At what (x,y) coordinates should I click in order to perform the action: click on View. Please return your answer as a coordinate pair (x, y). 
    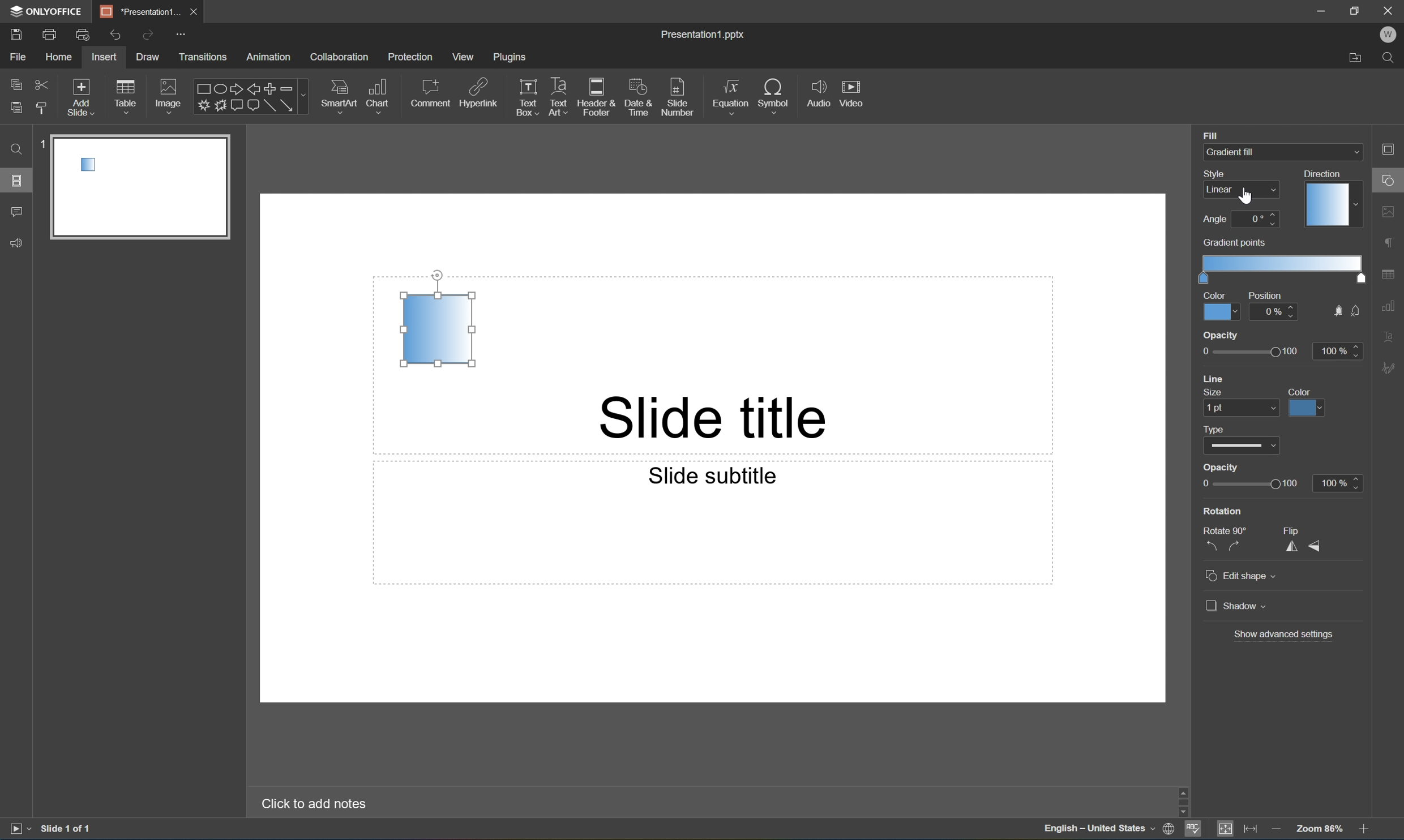
    Looking at the image, I should click on (464, 57).